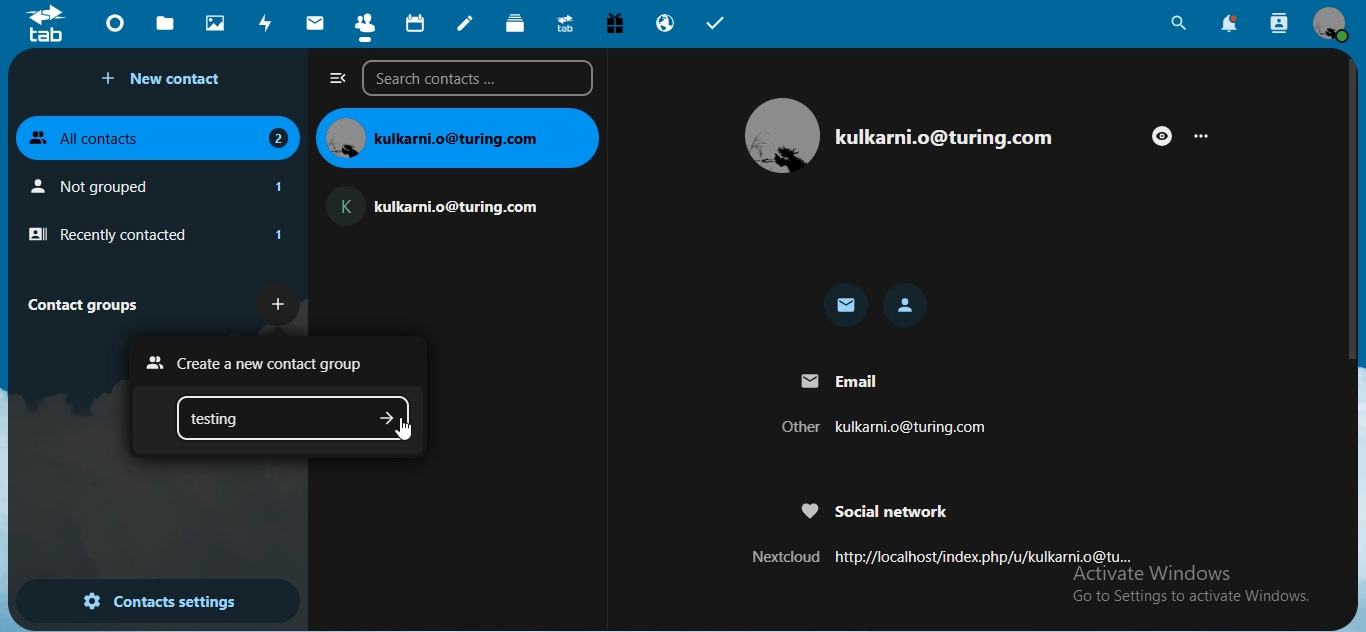  What do you see at coordinates (159, 135) in the screenshot?
I see `all contacts` at bounding box center [159, 135].